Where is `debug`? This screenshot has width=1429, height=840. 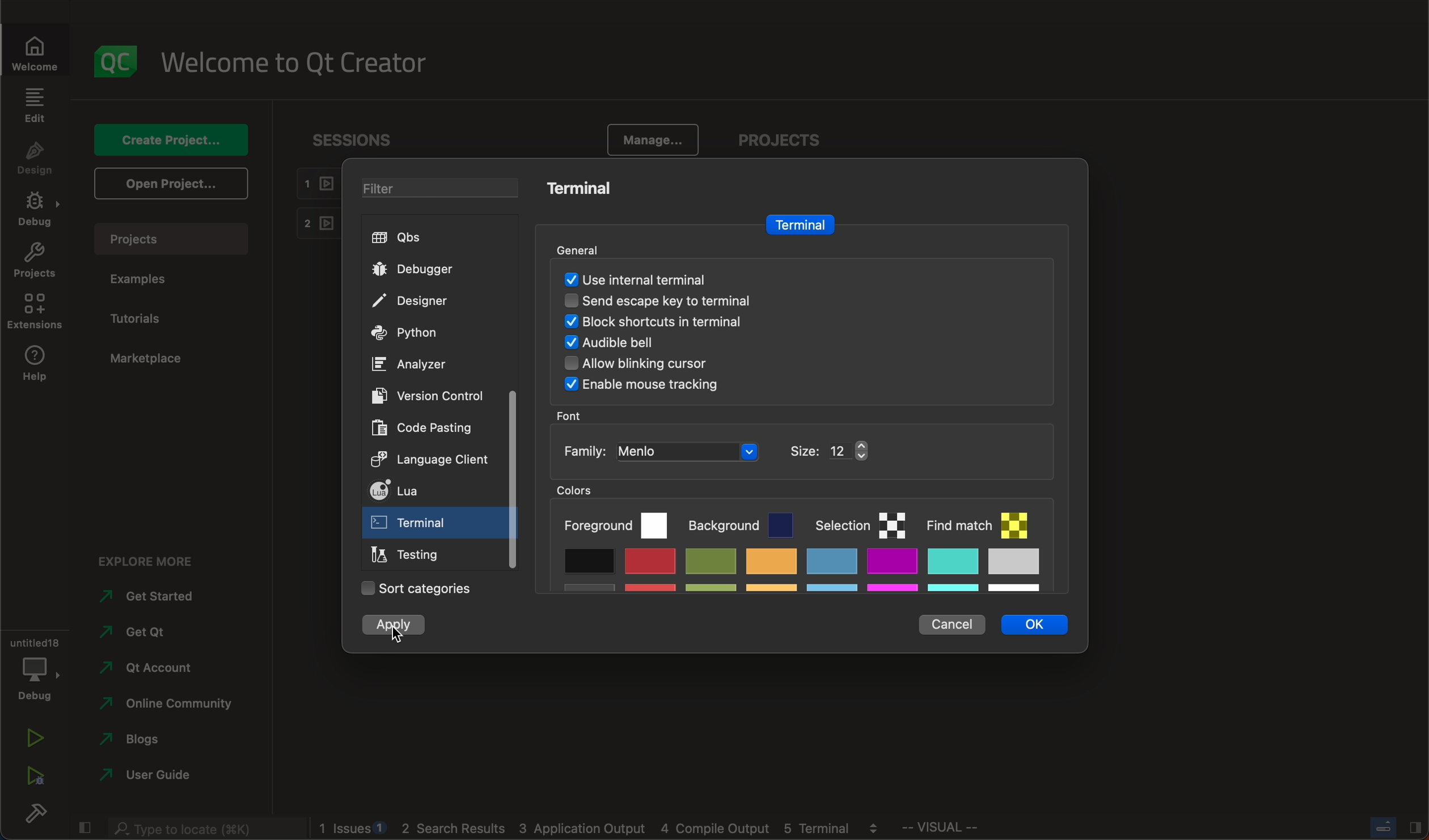 debug is located at coordinates (34, 211).